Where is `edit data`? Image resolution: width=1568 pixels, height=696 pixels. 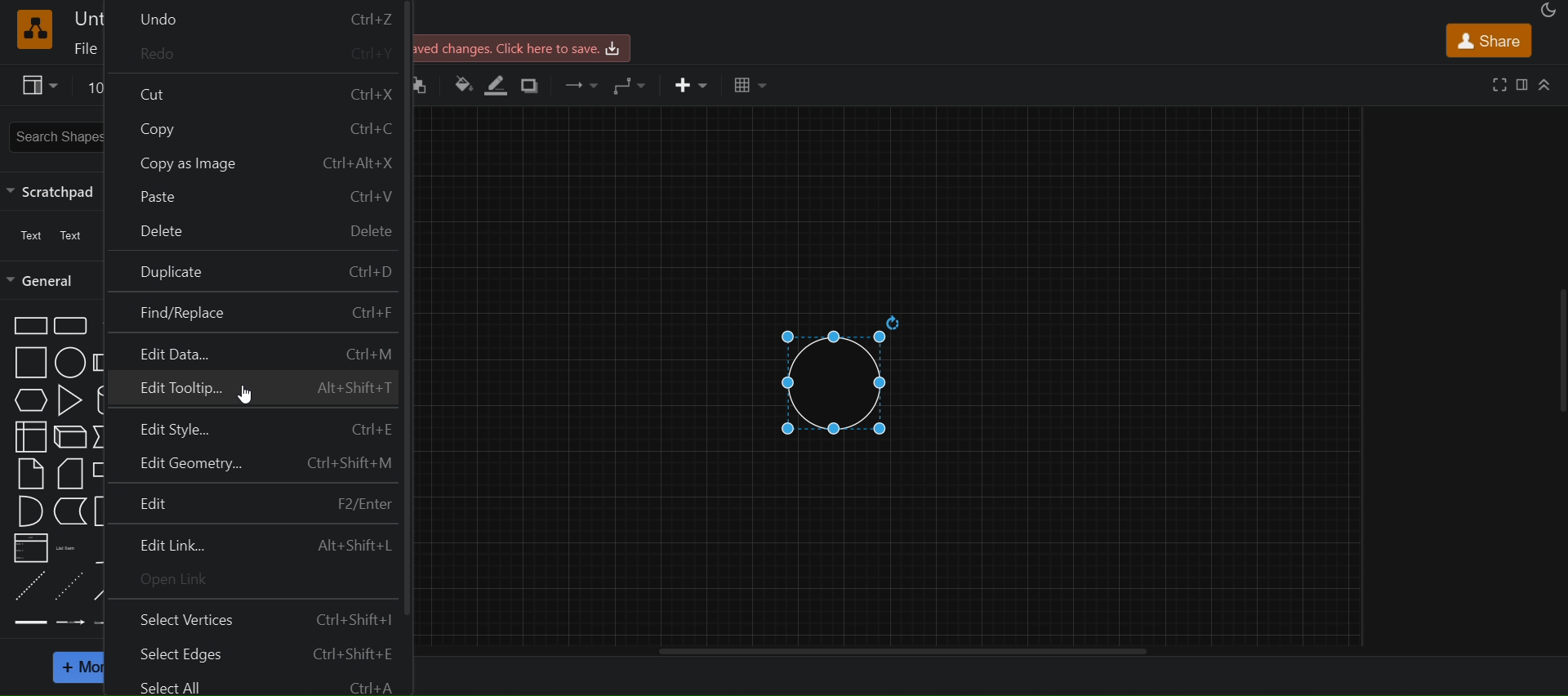
edit data is located at coordinates (256, 355).